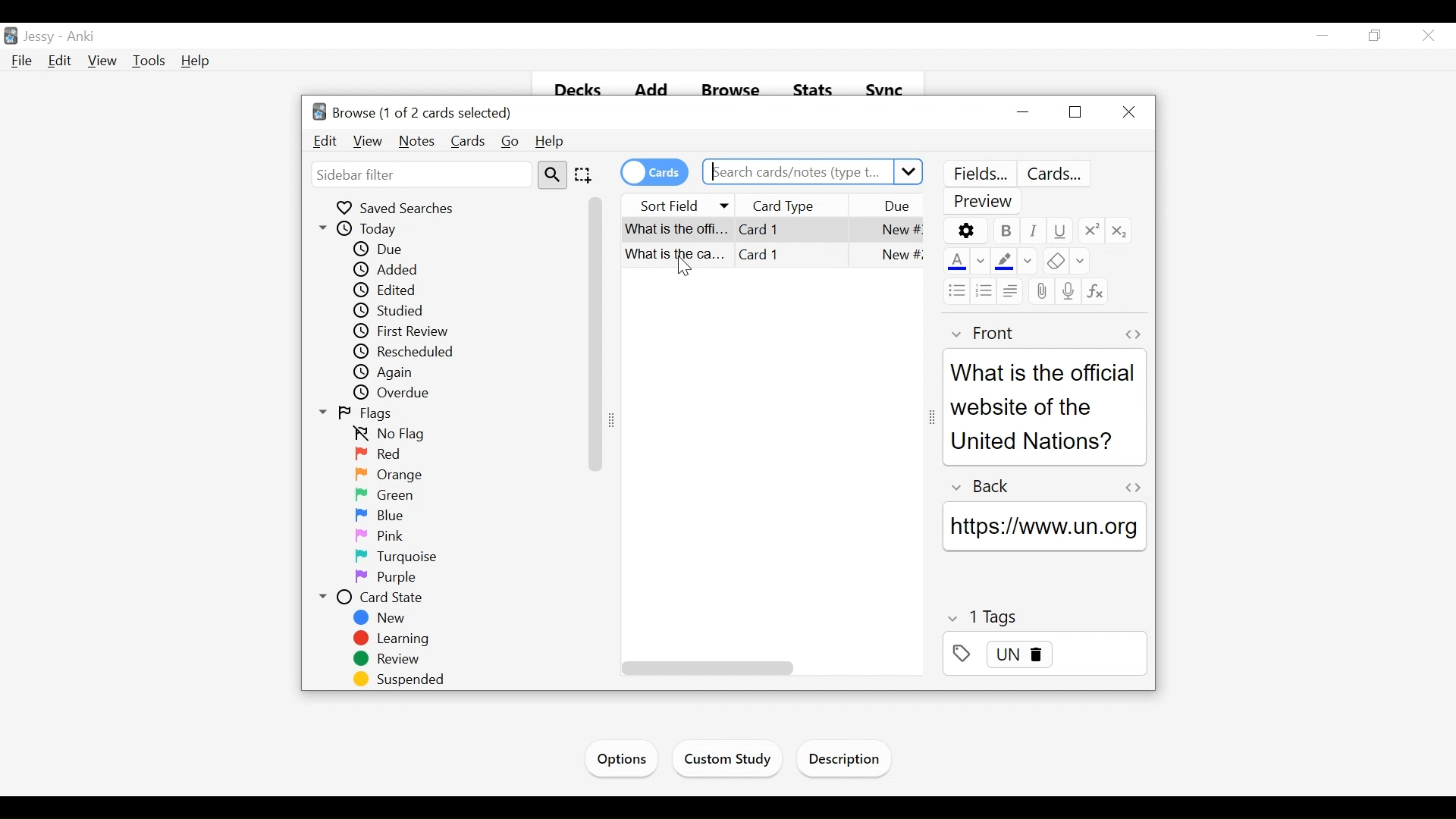 This screenshot has width=1456, height=819. I want to click on cursor, so click(689, 272).